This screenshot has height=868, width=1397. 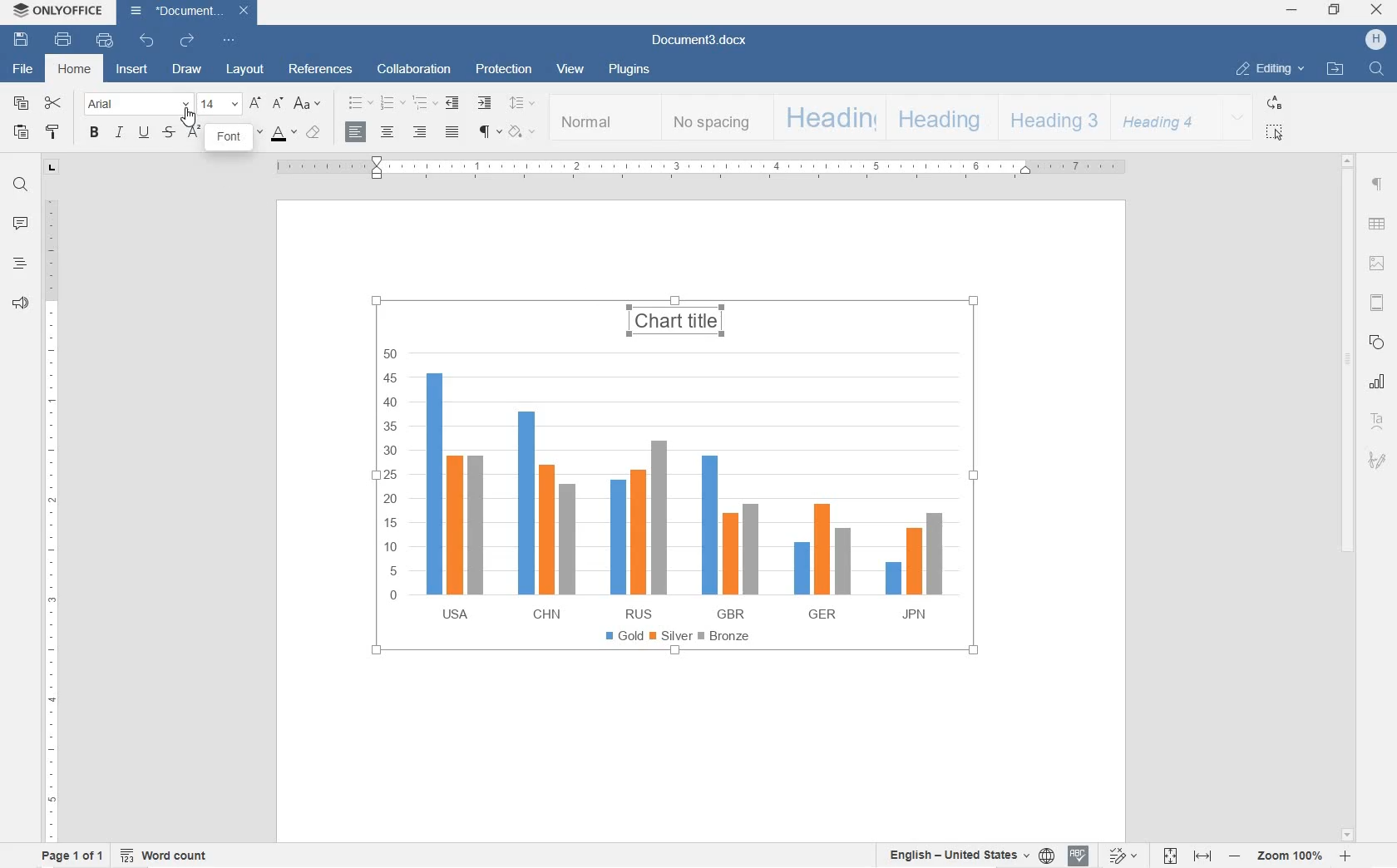 I want to click on SELECT ALL, so click(x=1274, y=133).